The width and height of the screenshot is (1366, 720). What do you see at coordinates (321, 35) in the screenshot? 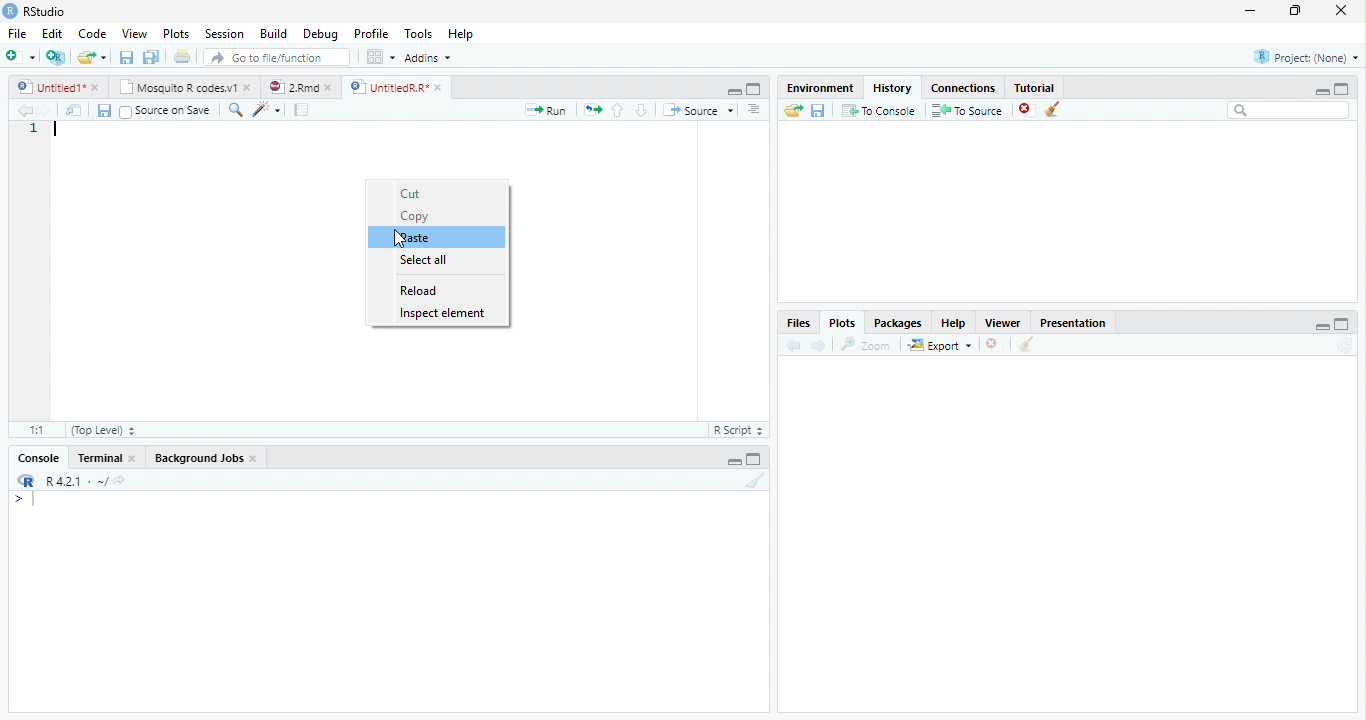
I see `Debug` at bounding box center [321, 35].